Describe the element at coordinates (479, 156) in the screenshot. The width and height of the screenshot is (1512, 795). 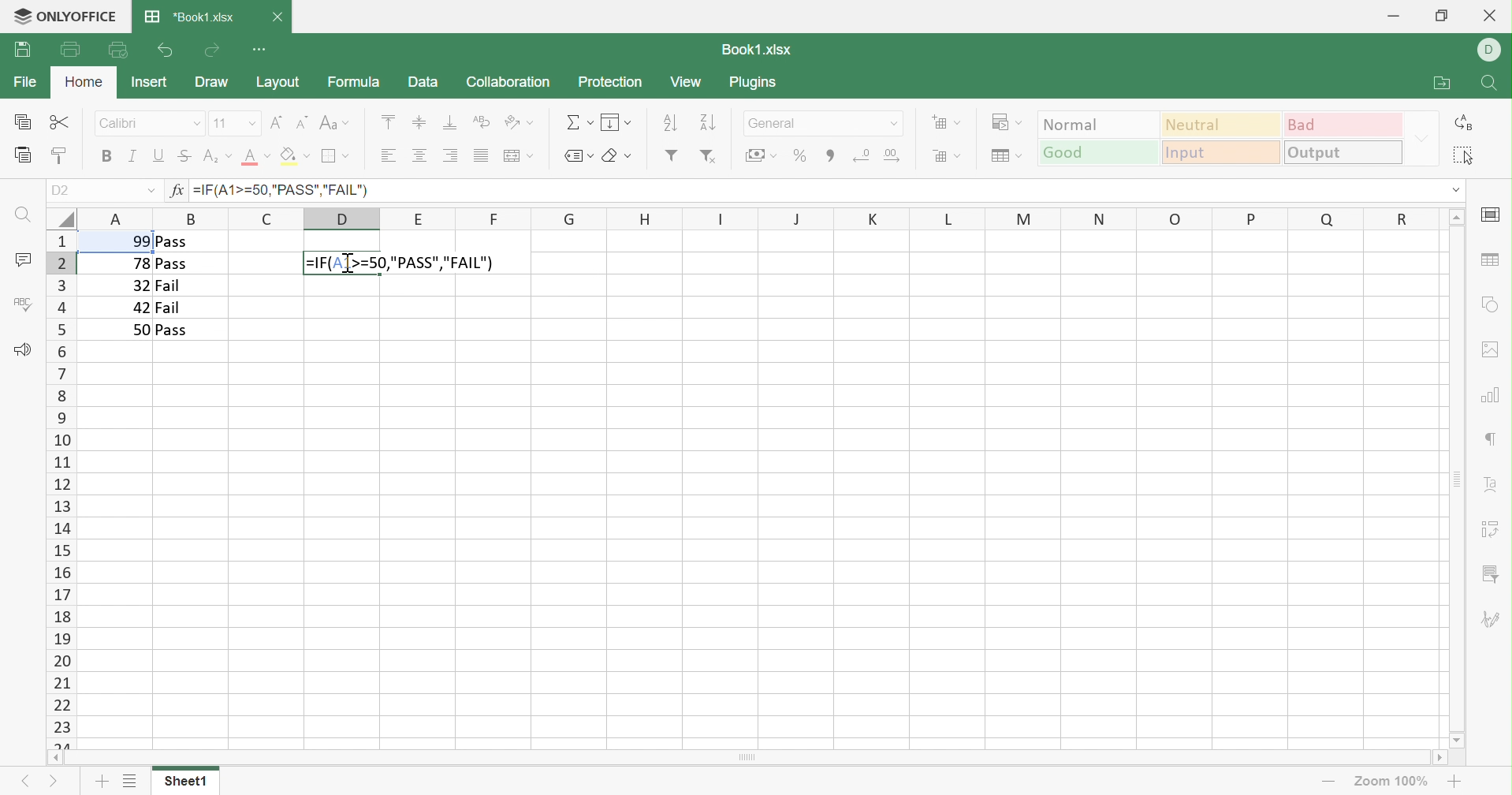
I see `Justified` at that location.